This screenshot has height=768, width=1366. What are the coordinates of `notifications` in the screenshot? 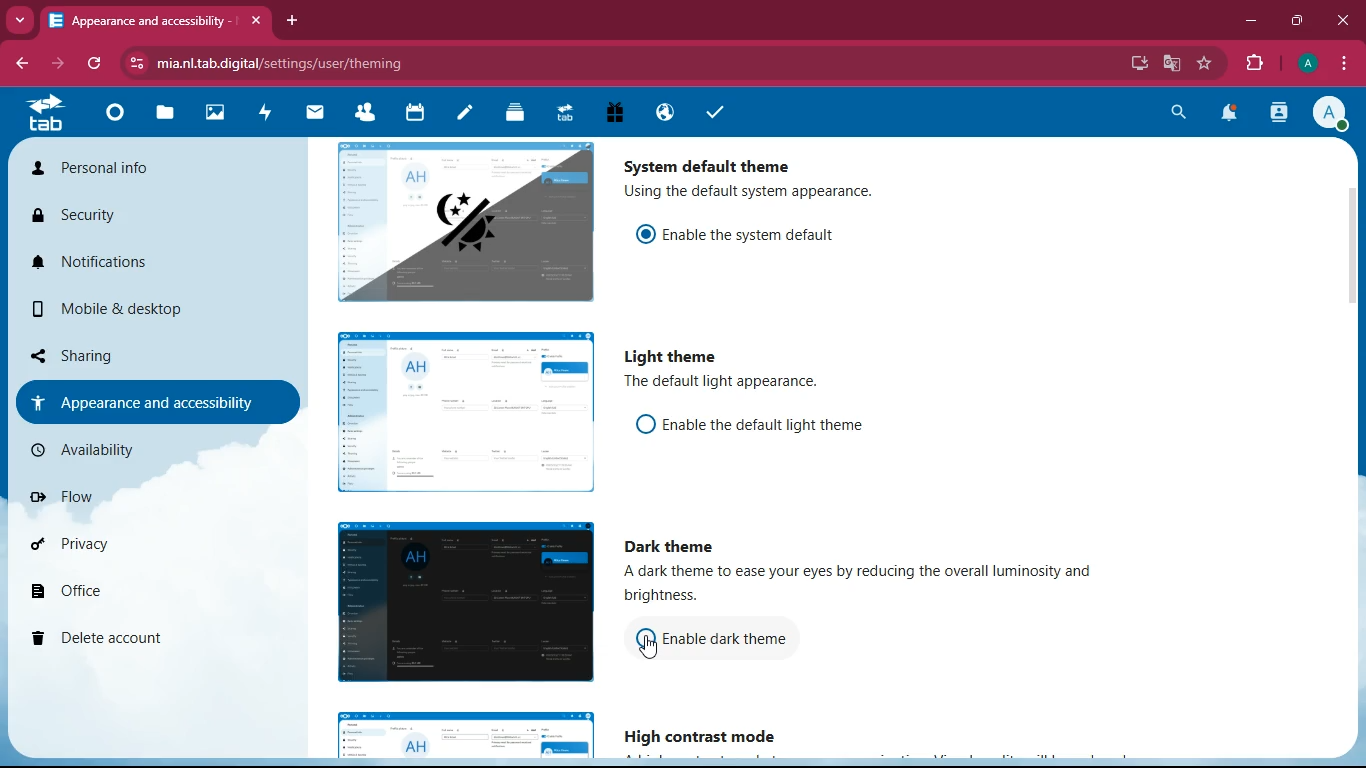 It's located at (1231, 115).